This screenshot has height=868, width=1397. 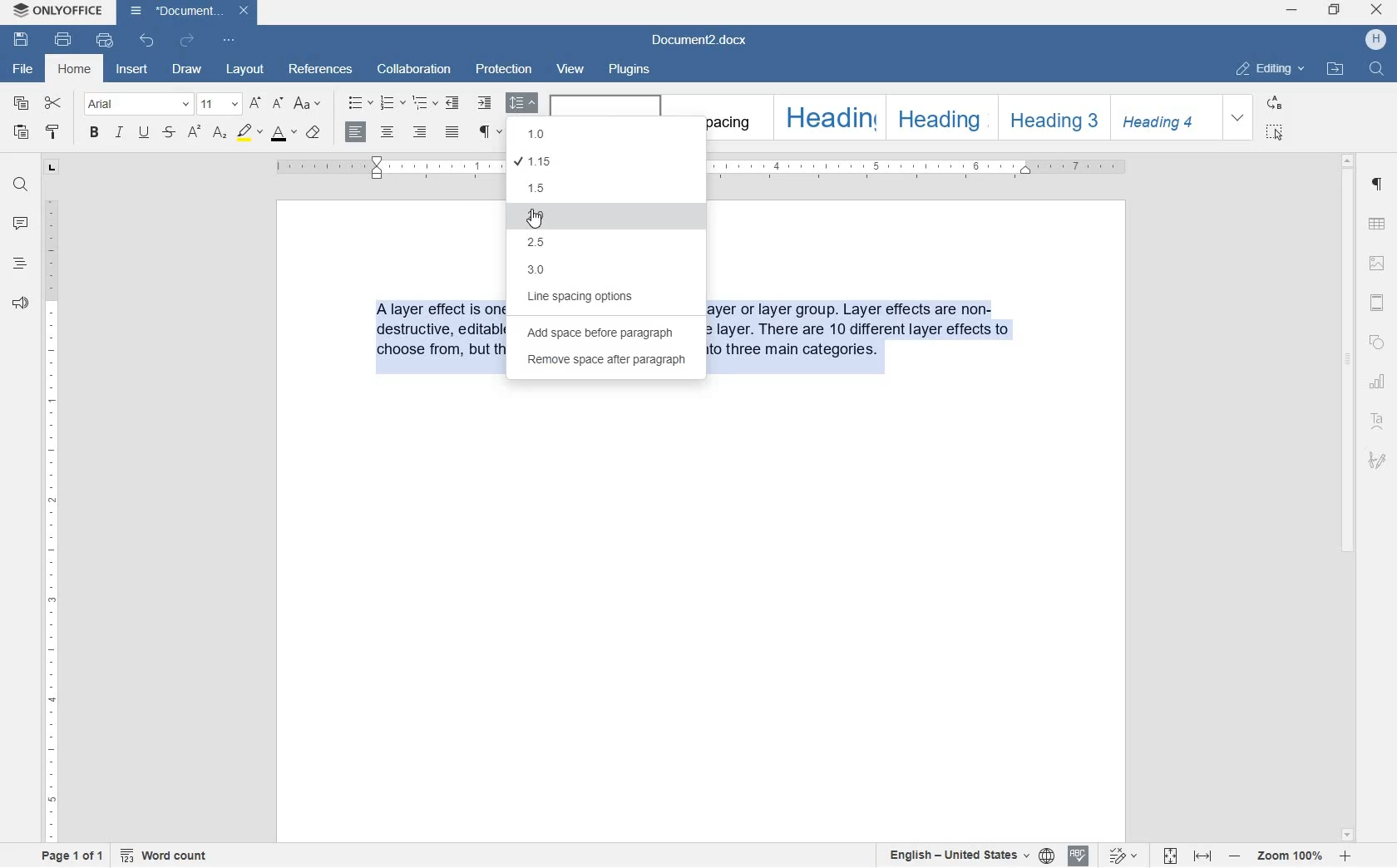 I want to click on minimize, so click(x=1291, y=11).